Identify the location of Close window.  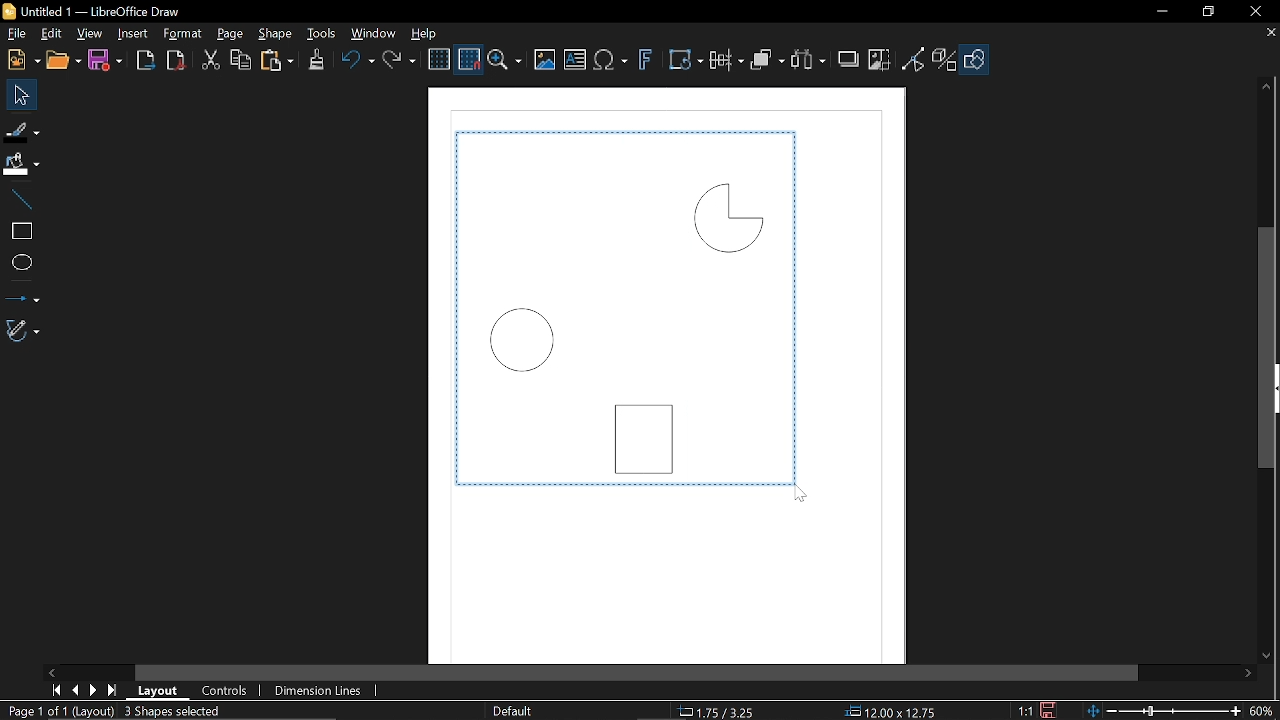
(1250, 12).